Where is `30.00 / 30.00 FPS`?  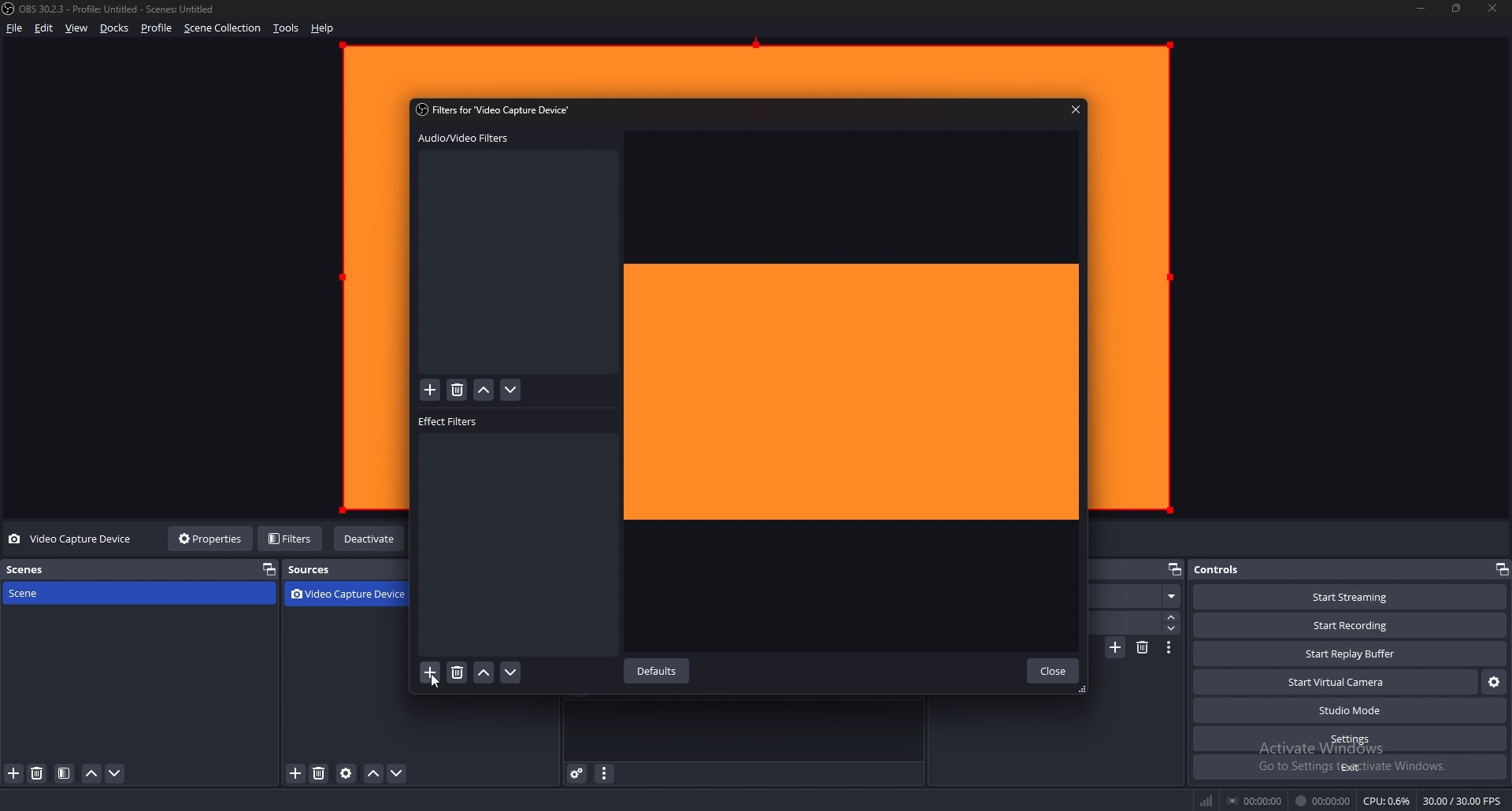 30.00 / 30.00 FPS is located at coordinates (1463, 800).